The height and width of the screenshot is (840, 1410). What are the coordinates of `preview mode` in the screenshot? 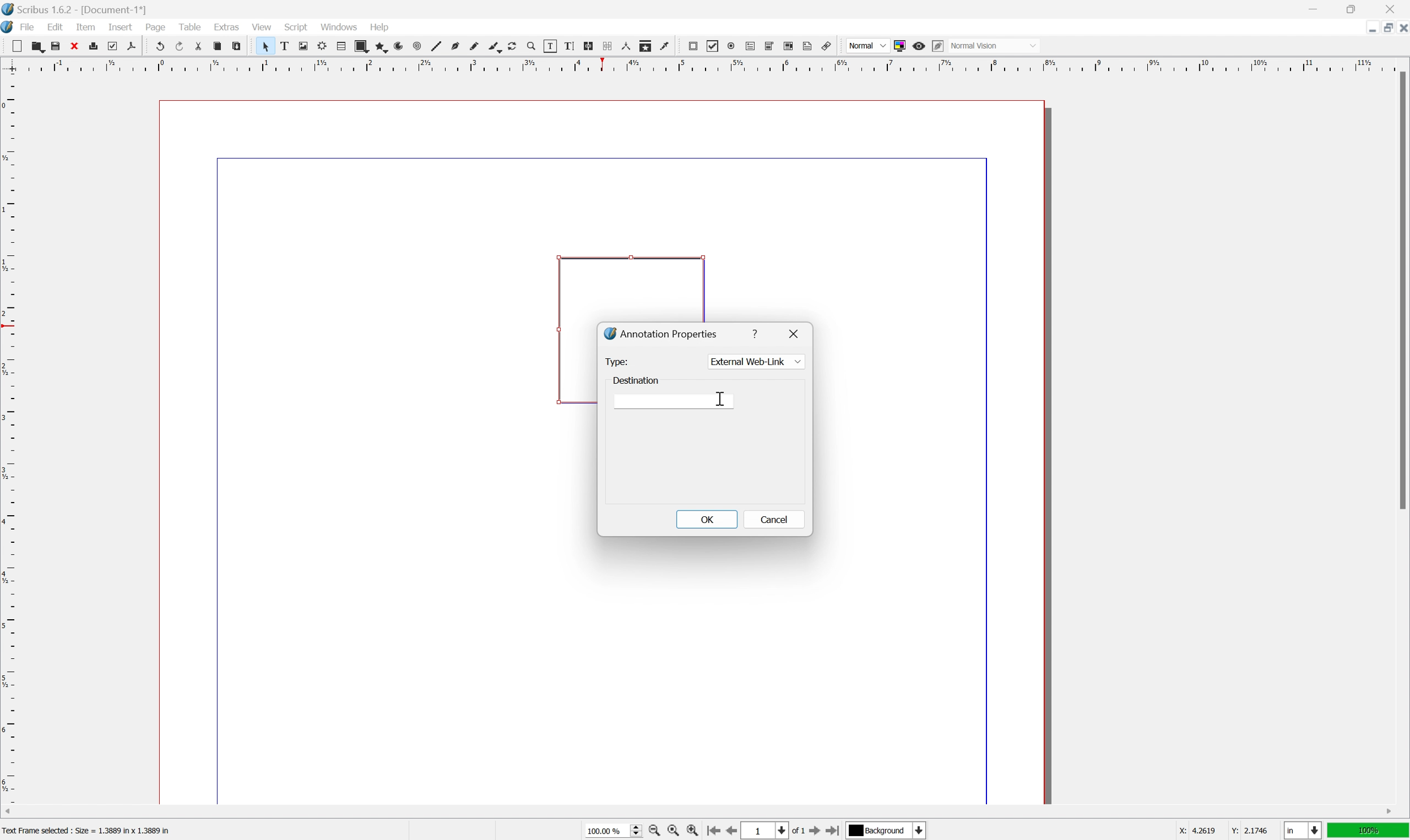 It's located at (920, 46).